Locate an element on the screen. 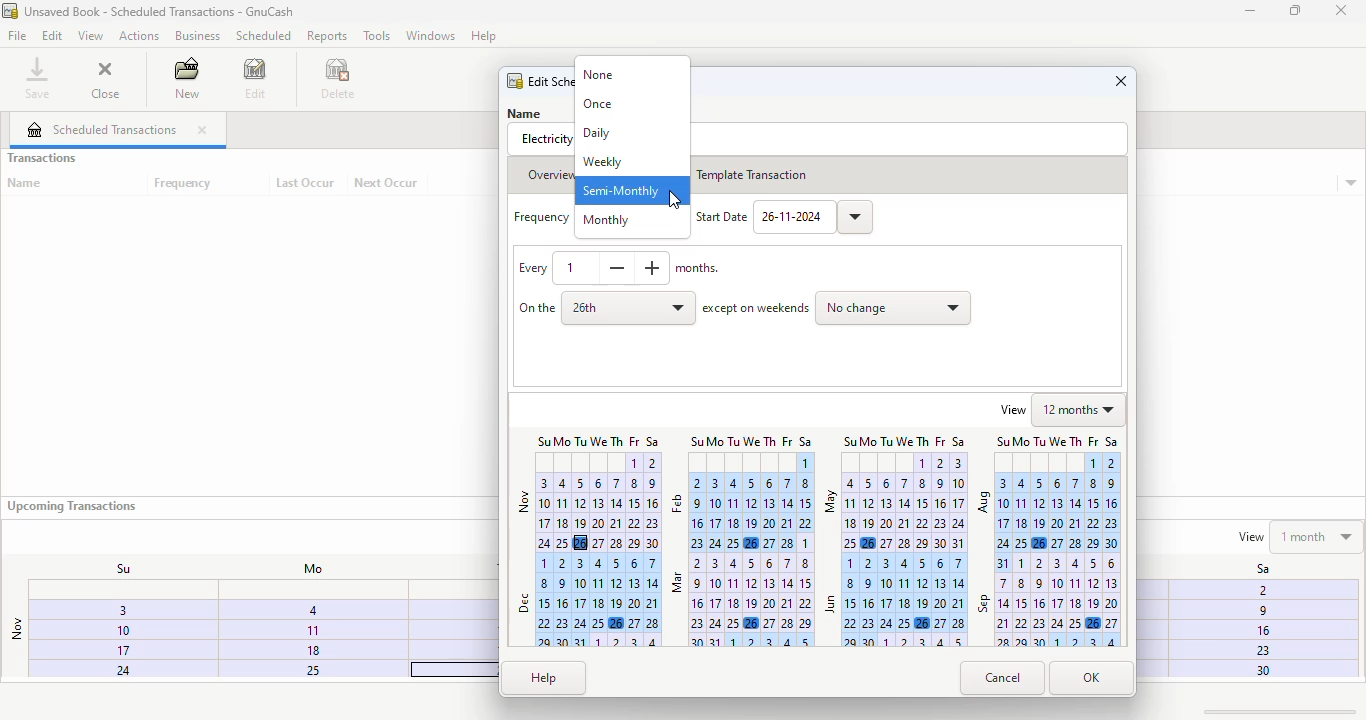 The width and height of the screenshot is (1366, 720). OK is located at coordinates (1096, 680).